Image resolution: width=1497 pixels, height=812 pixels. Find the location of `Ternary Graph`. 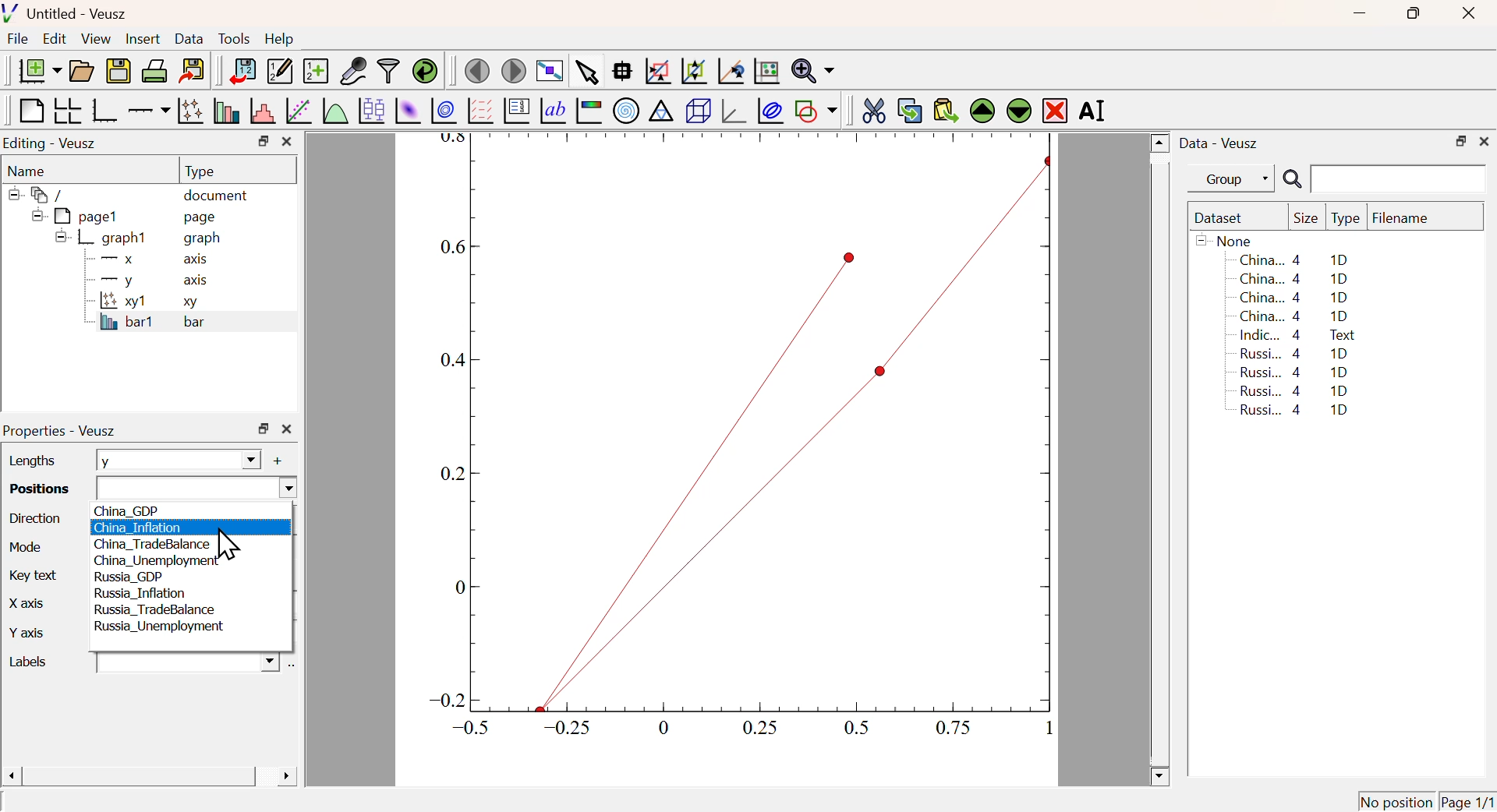

Ternary Graph is located at coordinates (660, 110).